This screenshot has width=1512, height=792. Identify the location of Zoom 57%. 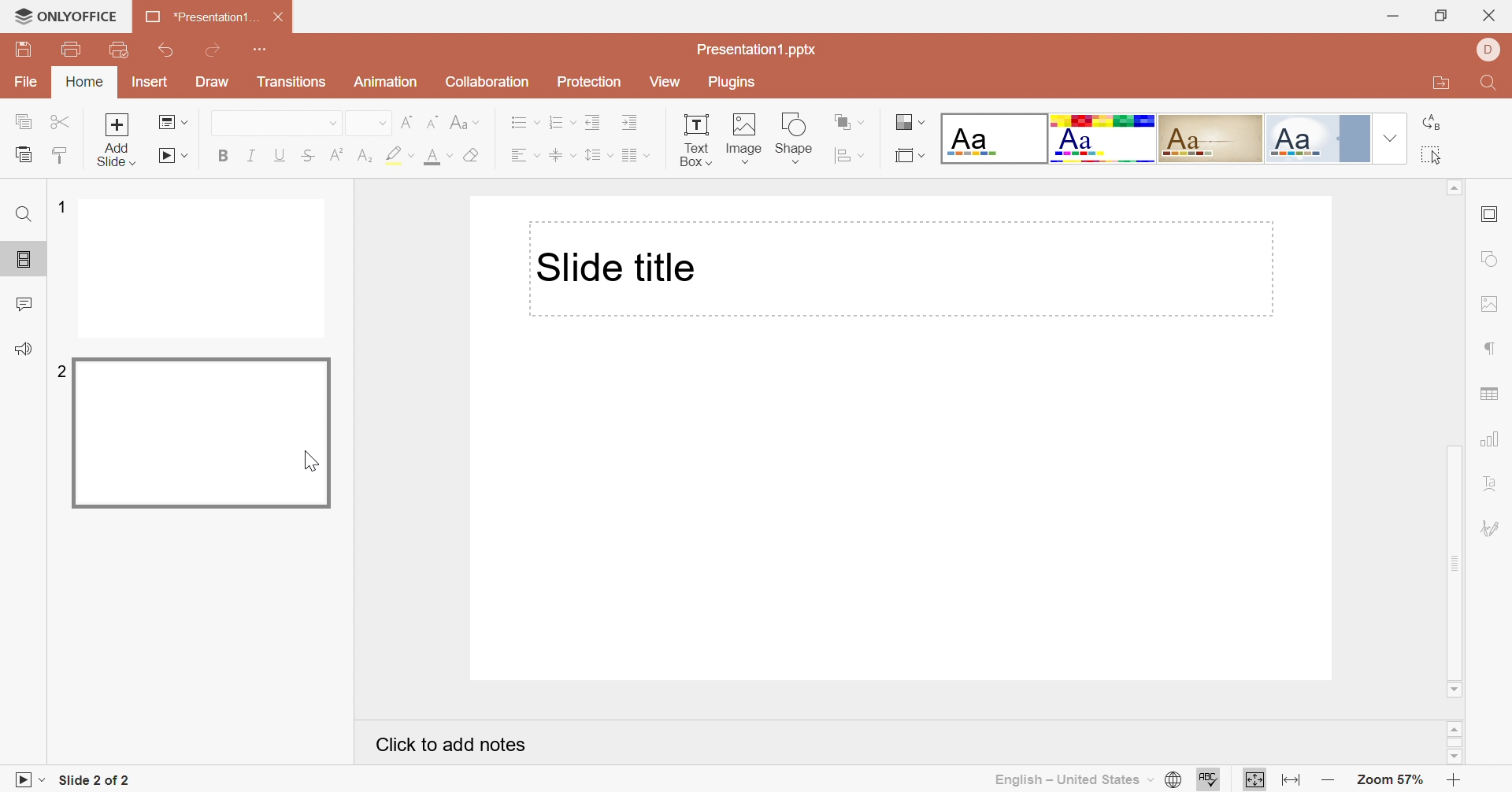
(1389, 779).